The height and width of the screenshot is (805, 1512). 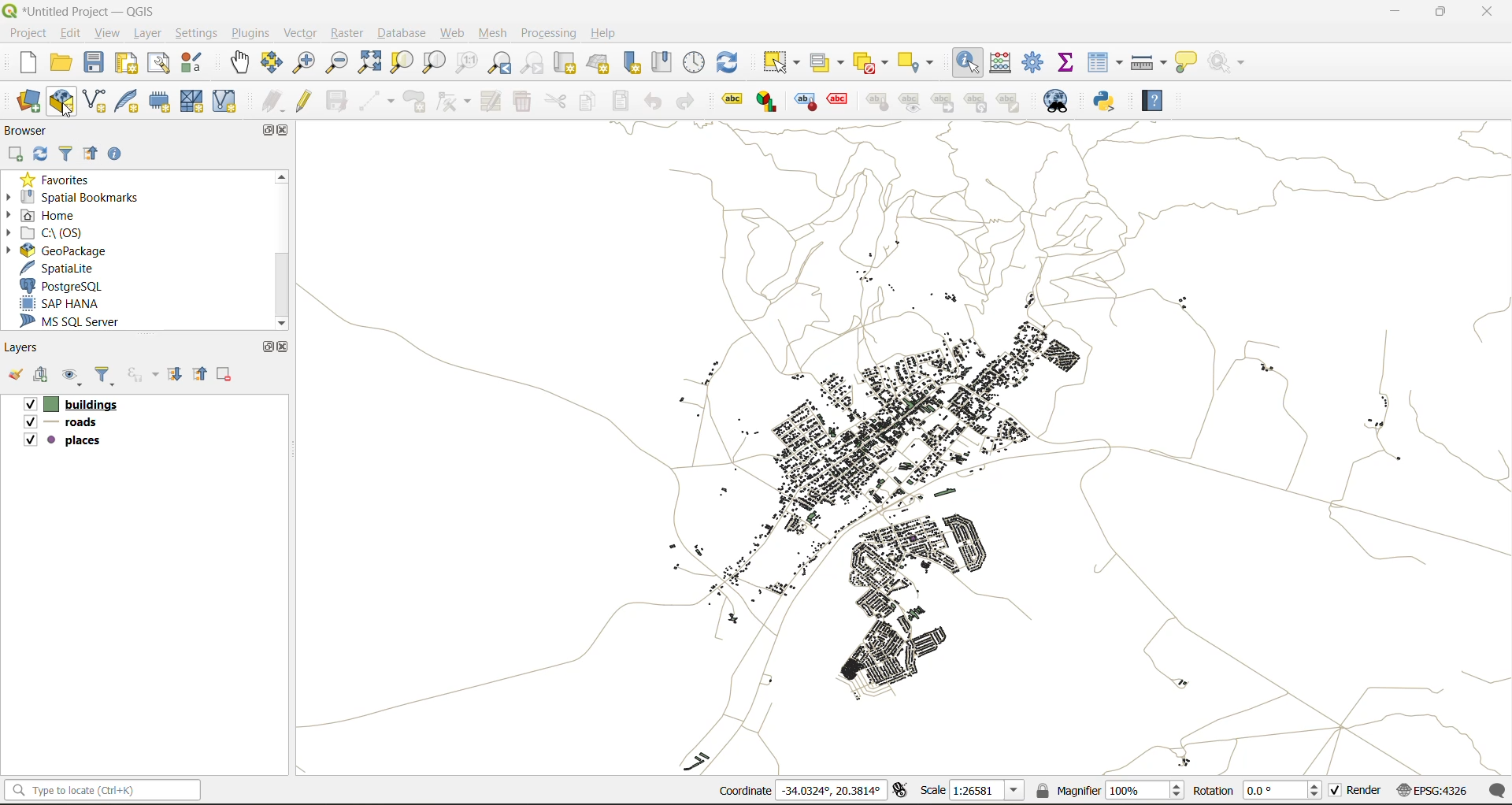 I want to click on roads, so click(x=64, y=425).